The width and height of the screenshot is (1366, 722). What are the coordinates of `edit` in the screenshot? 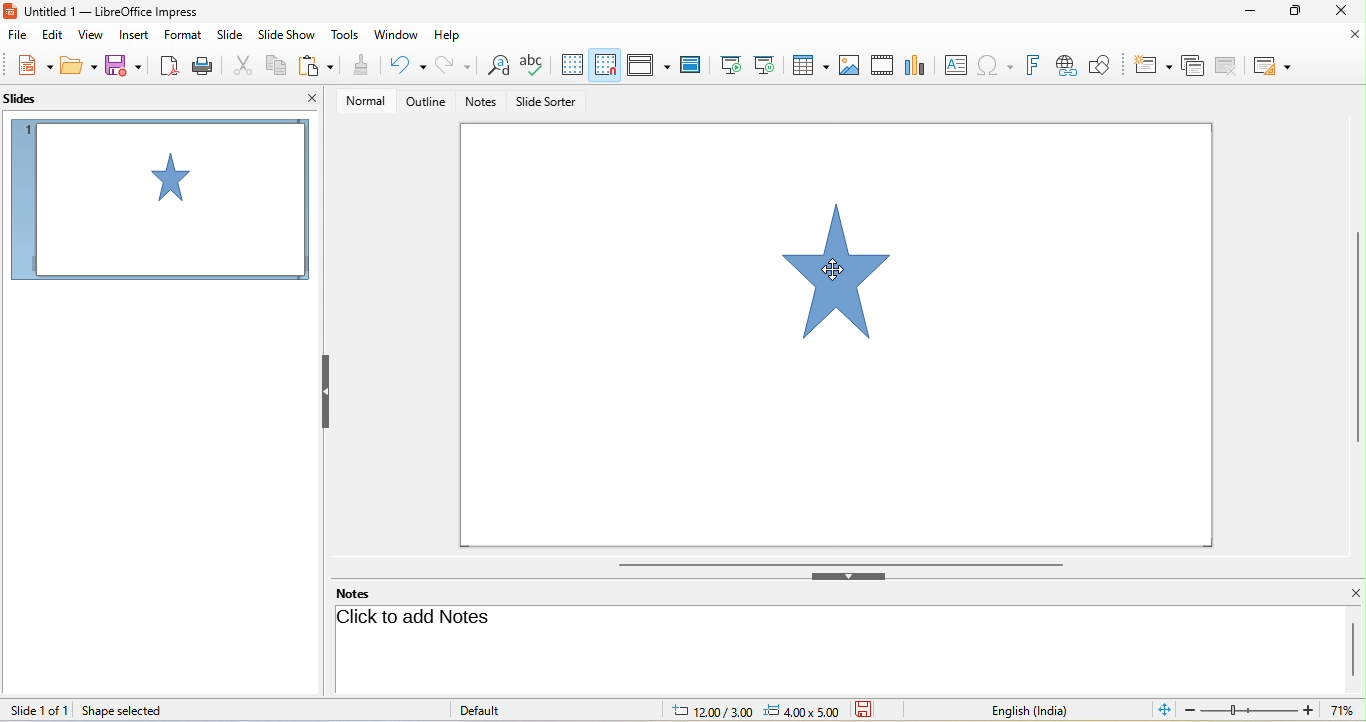 It's located at (52, 36).